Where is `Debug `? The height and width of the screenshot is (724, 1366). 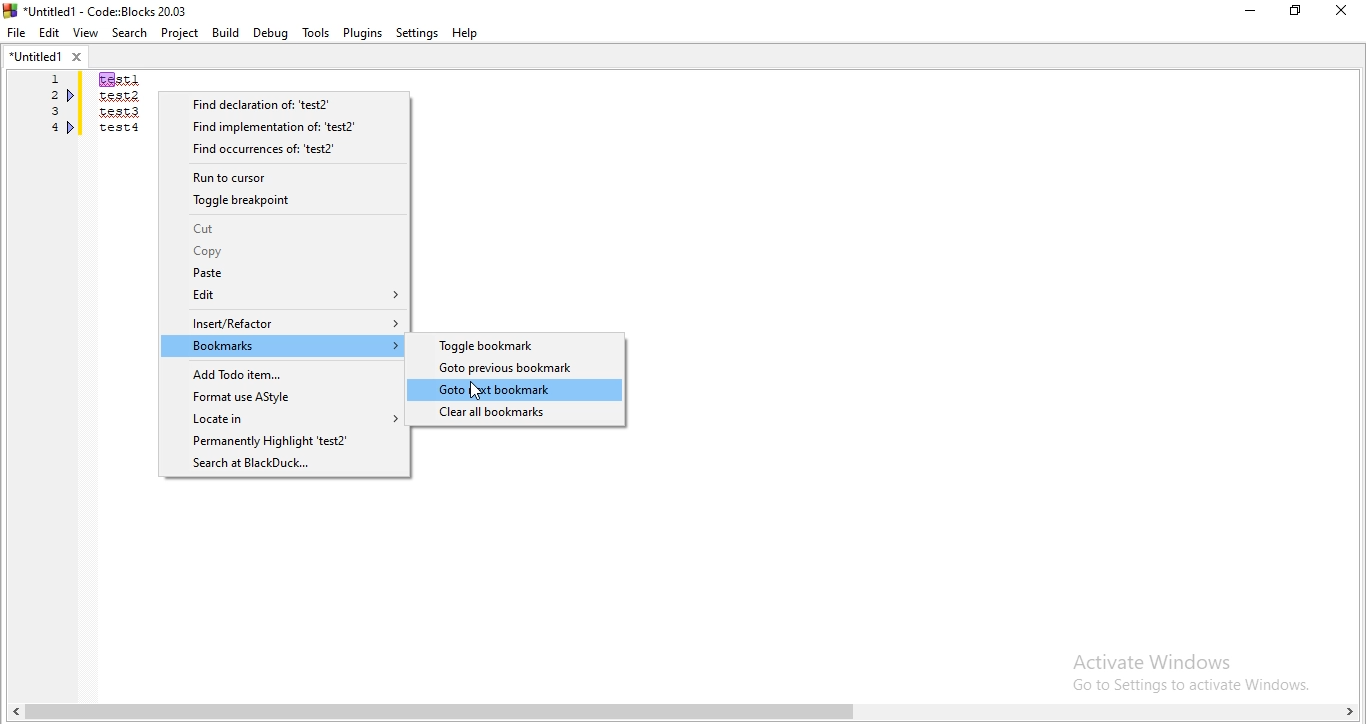
Debug  is located at coordinates (269, 31).